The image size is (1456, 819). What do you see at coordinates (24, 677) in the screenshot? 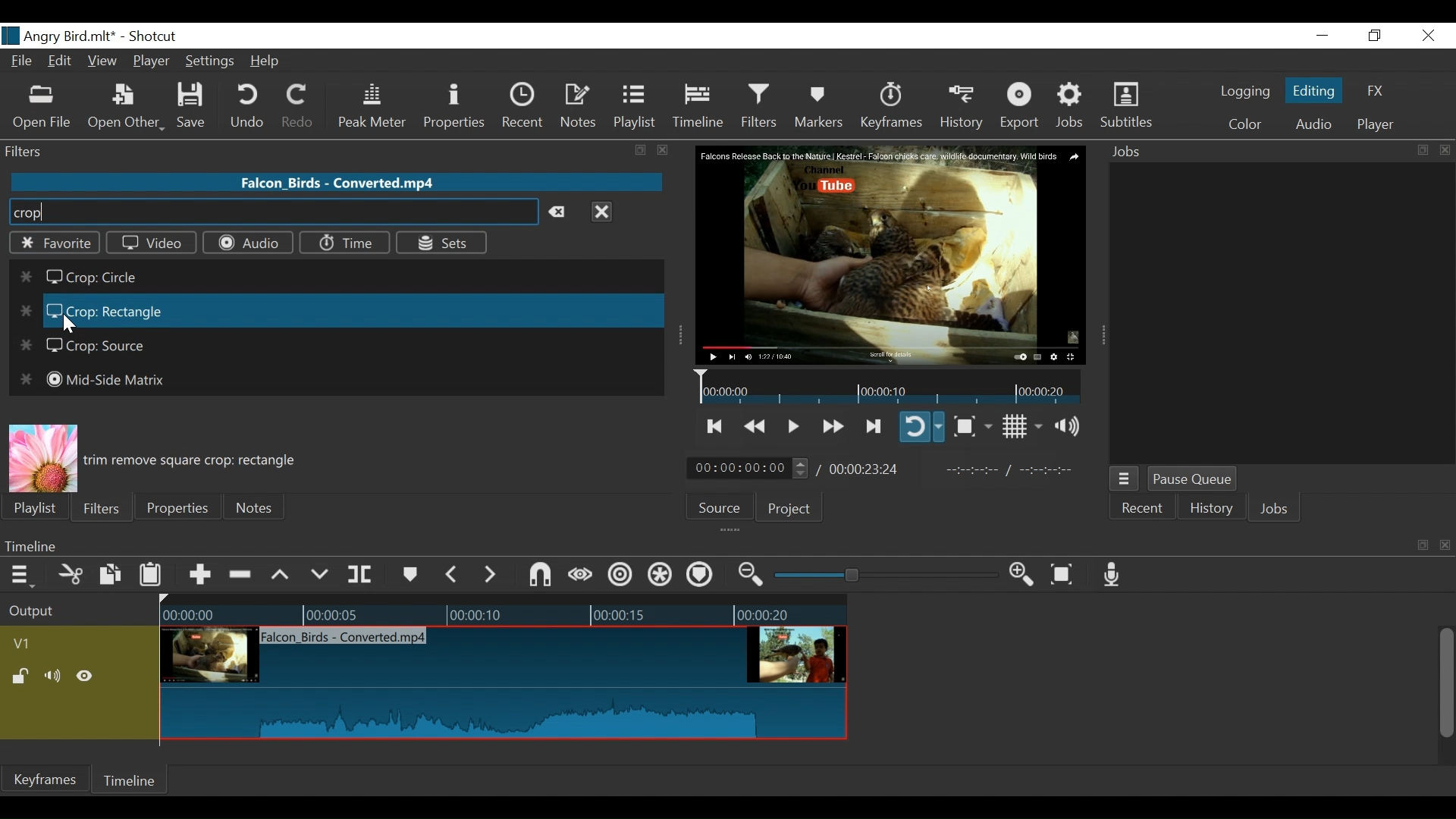
I see `(un)lock track` at bounding box center [24, 677].